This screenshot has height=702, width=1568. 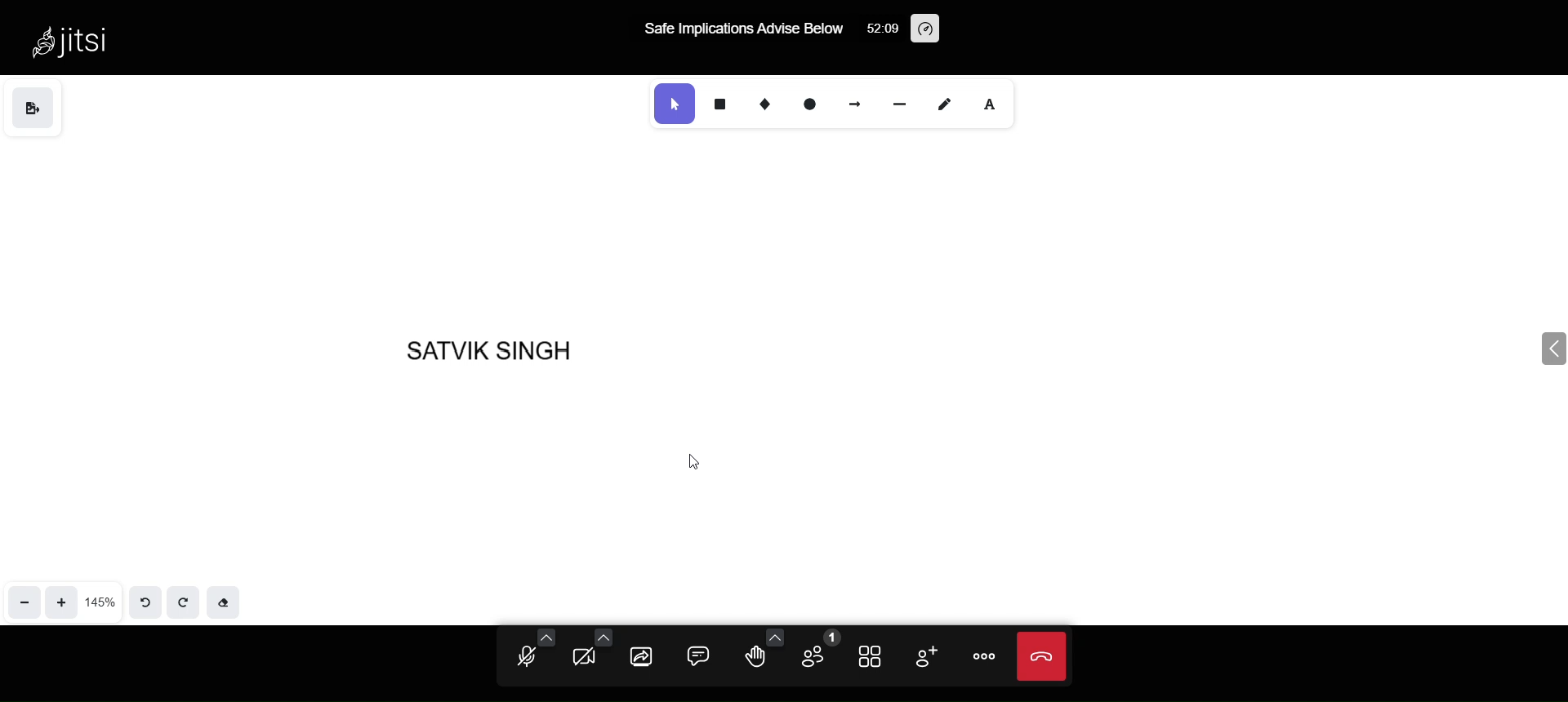 I want to click on rectangle, so click(x=726, y=104).